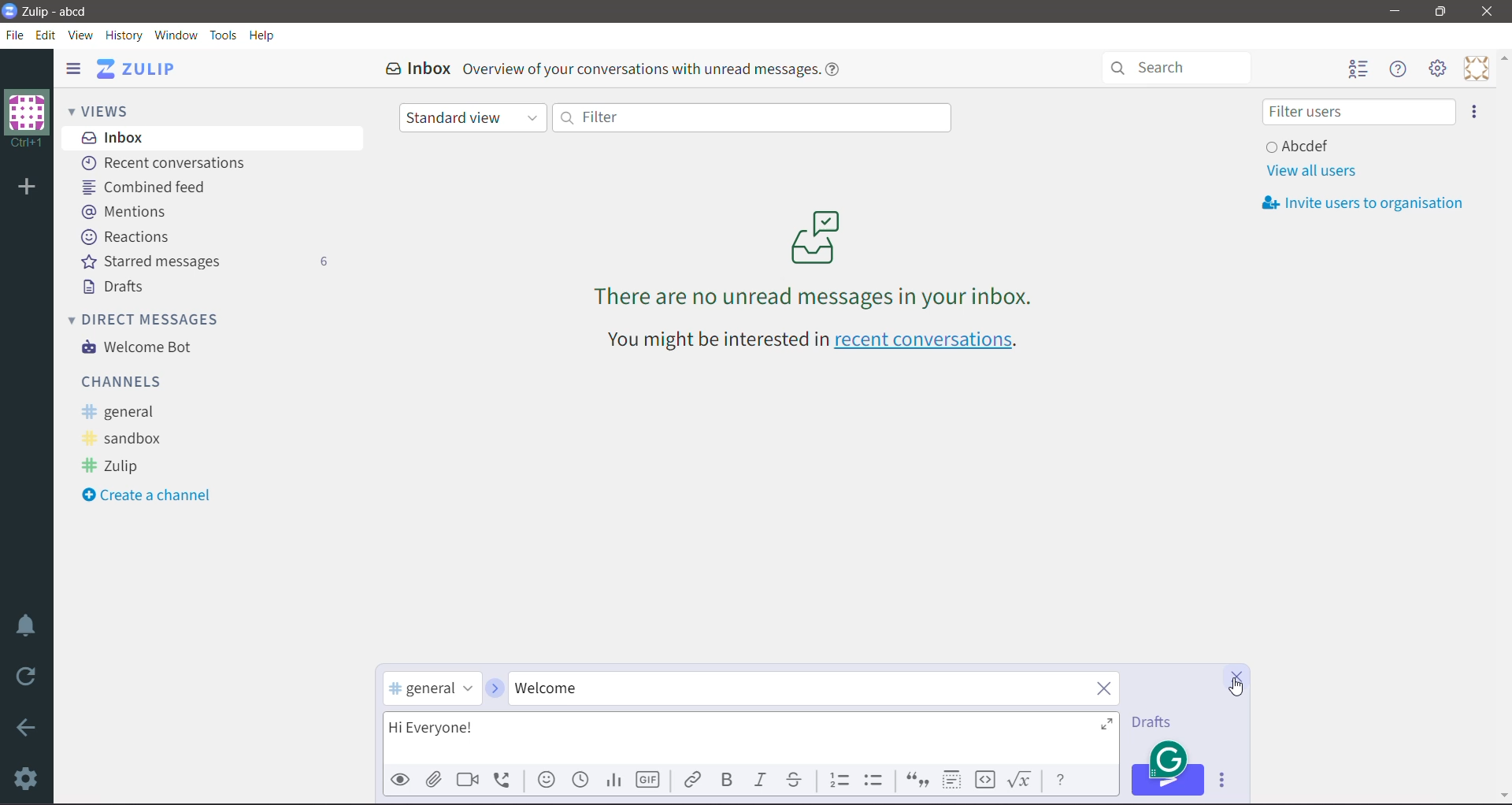 The height and width of the screenshot is (805, 1512). Describe the element at coordinates (1236, 688) in the screenshot. I see `Cursor - Click to cancel Compose and save as Draft` at that location.